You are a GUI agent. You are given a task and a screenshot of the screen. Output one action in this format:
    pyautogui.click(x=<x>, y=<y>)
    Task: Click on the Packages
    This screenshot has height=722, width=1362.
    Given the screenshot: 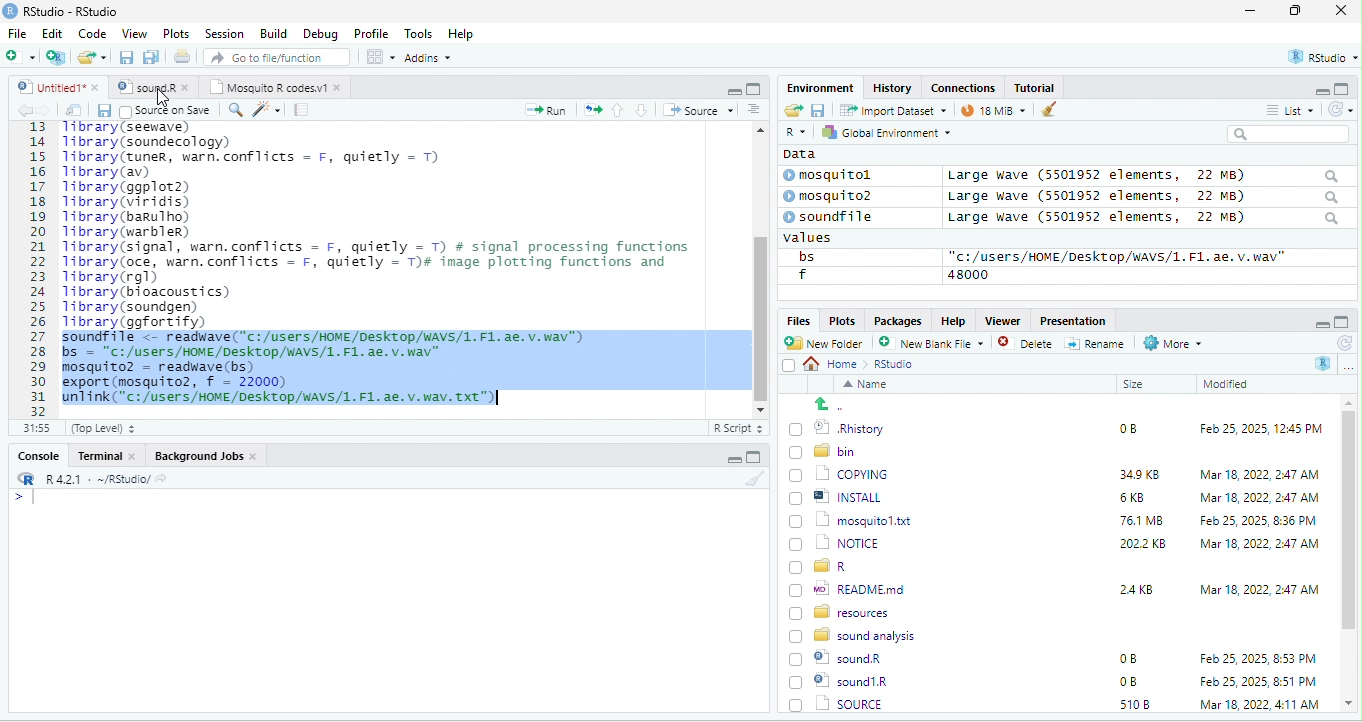 What is the action you would take?
    pyautogui.click(x=901, y=320)
    